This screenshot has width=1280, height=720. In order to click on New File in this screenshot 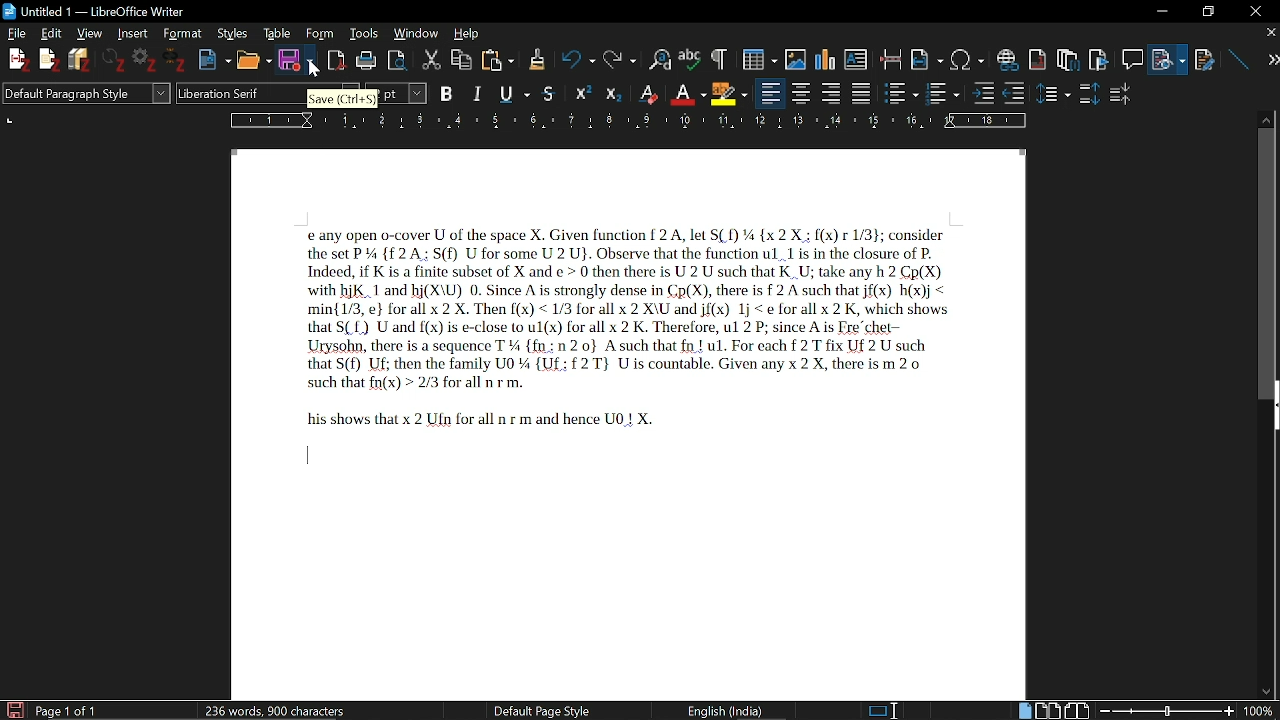, I will do `click(17, 60)`.